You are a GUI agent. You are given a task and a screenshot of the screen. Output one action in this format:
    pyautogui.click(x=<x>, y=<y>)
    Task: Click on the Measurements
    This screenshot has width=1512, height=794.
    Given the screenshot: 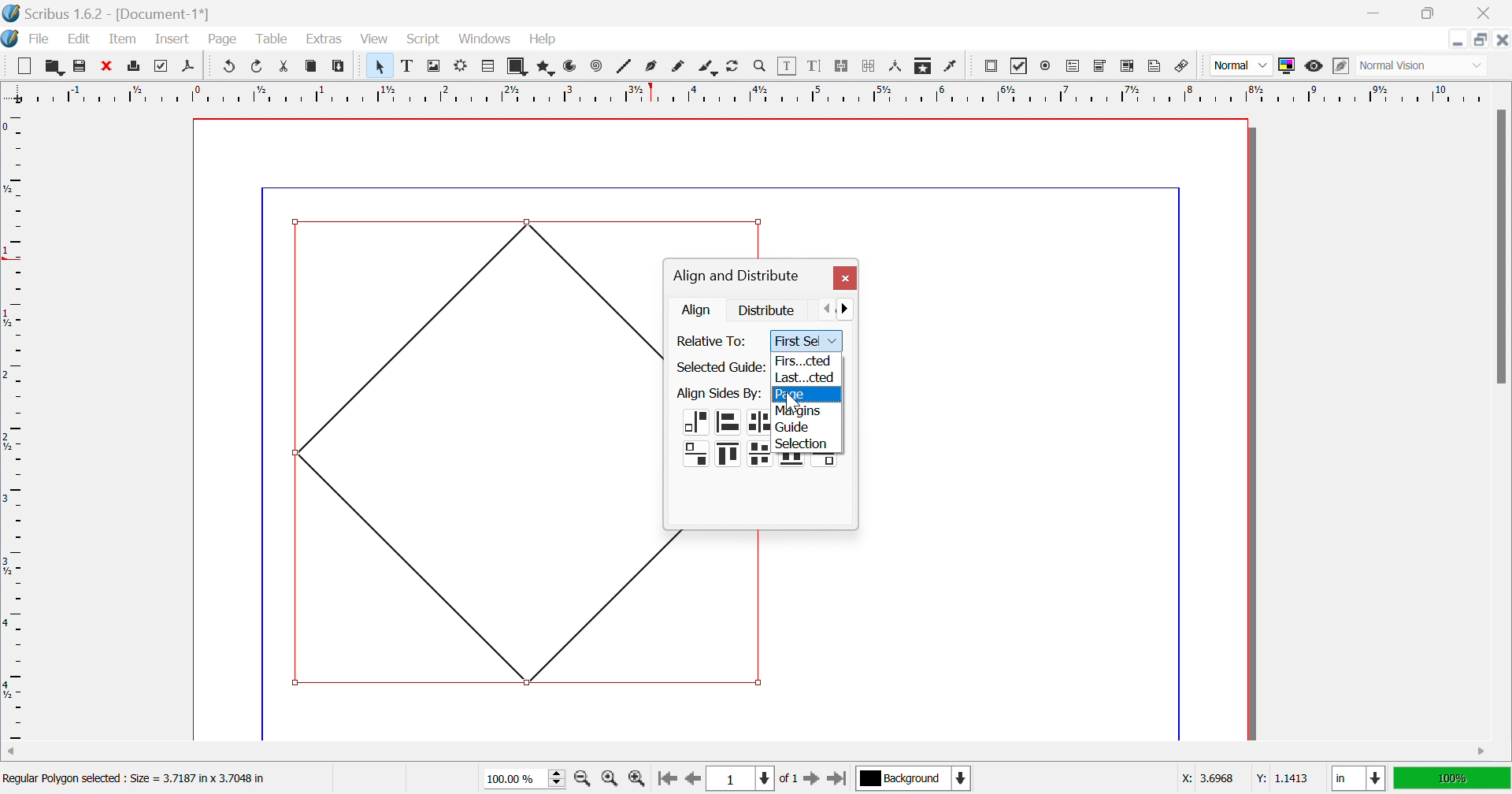 What is the action you would take?
    pyautogui.click(x=897, y=67)
    